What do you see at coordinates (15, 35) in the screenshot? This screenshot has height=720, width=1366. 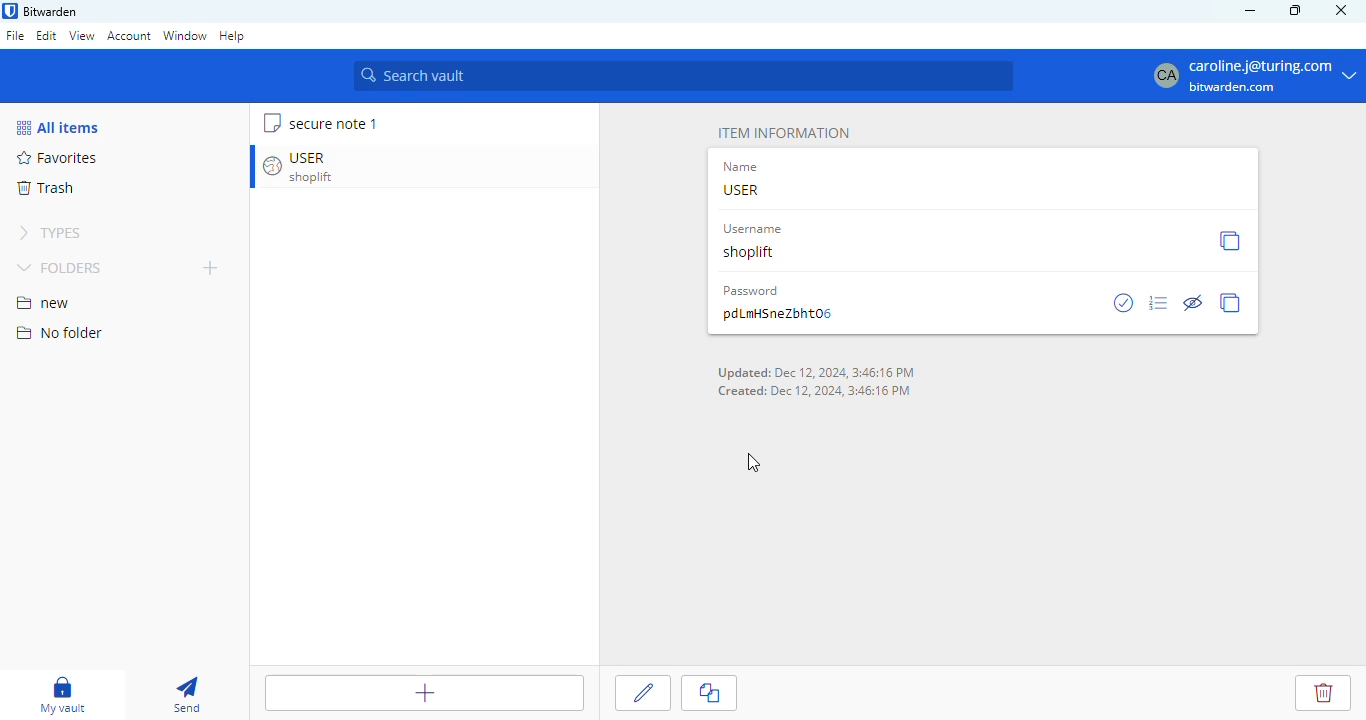 I see `file` at bounding box center [15, 35].